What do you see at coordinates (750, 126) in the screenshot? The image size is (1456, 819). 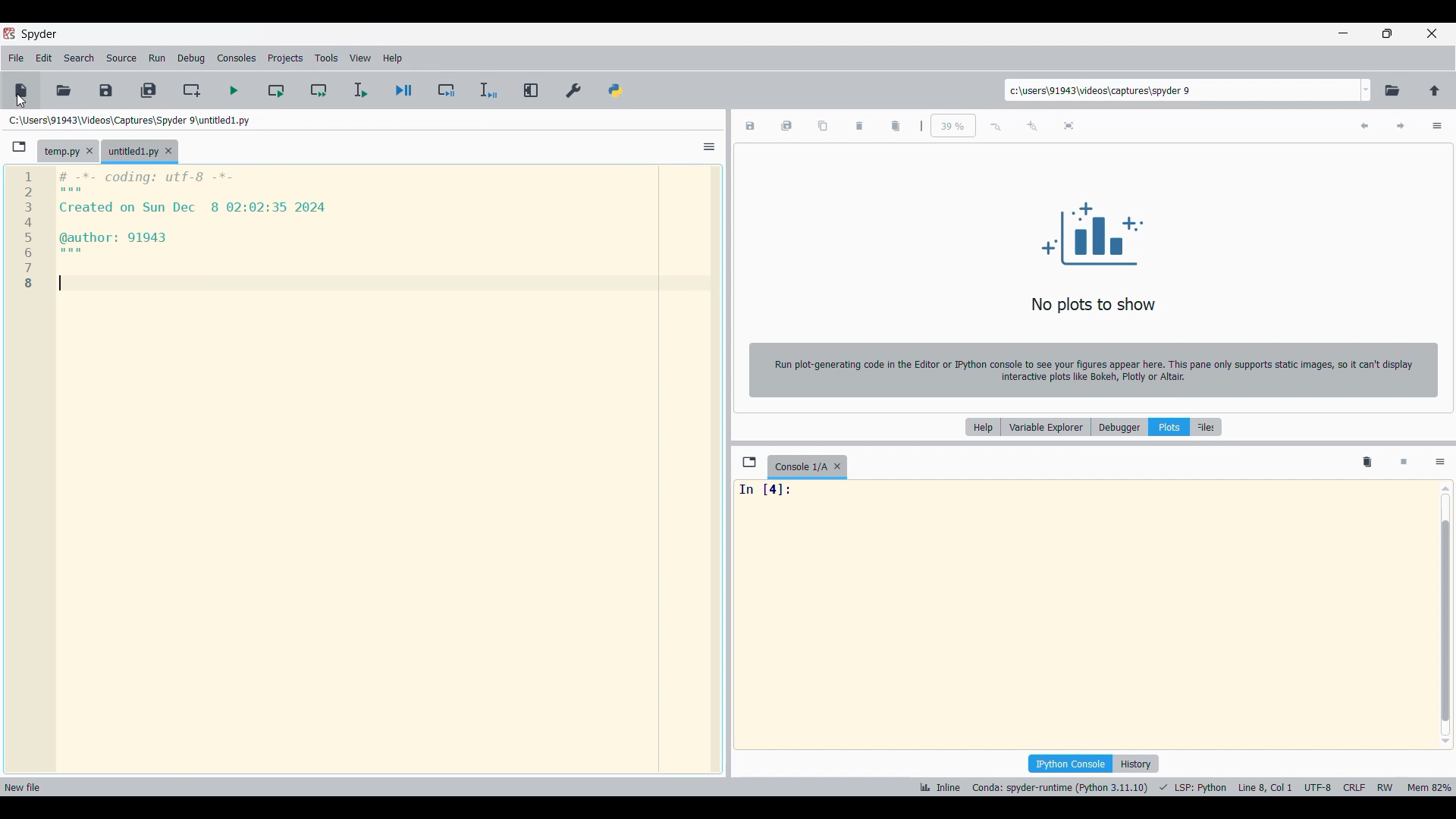 I see `Save plot as` at bounding box center [750, 126].